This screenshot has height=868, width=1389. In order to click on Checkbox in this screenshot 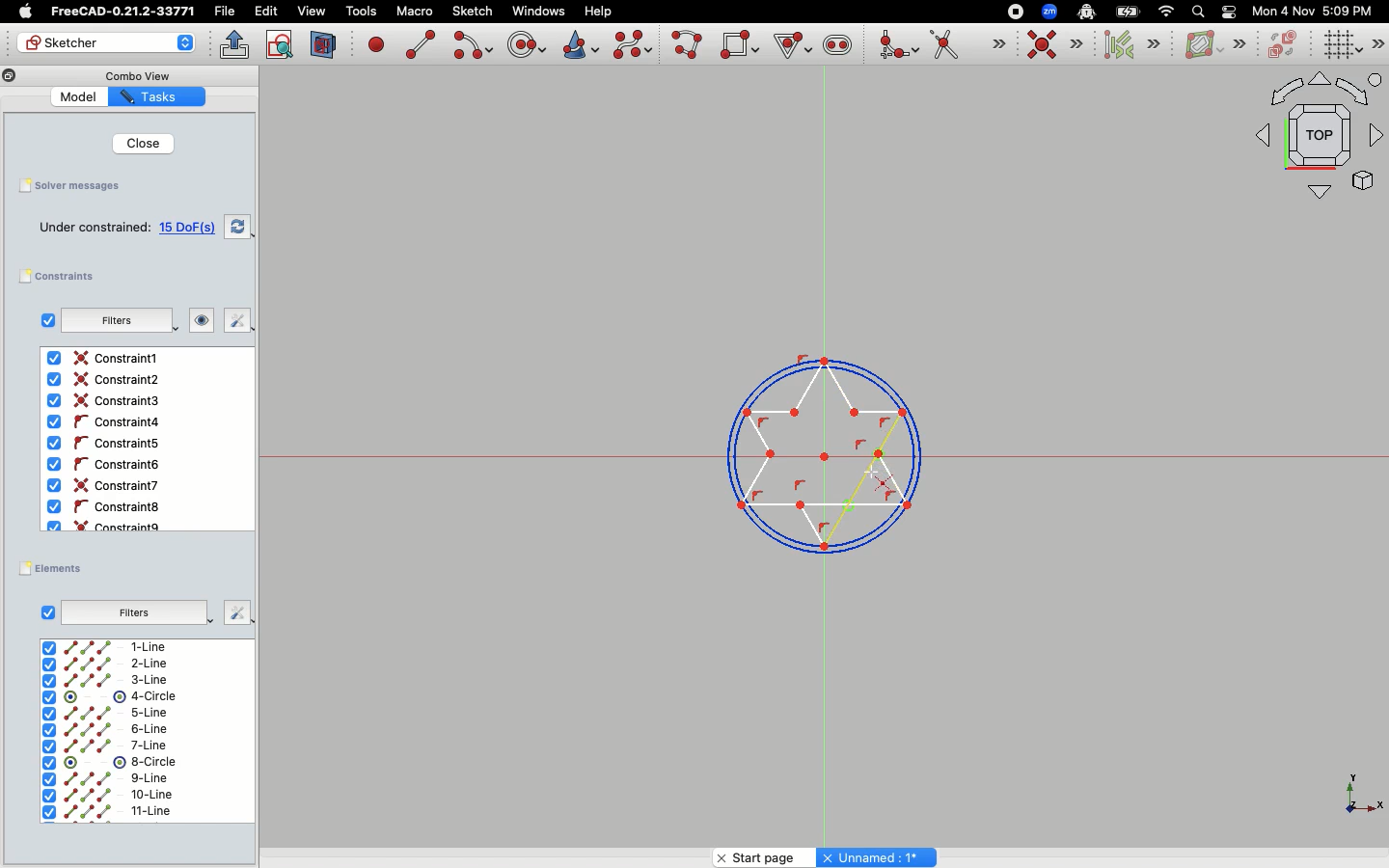, I will do `click(43, 320)`.